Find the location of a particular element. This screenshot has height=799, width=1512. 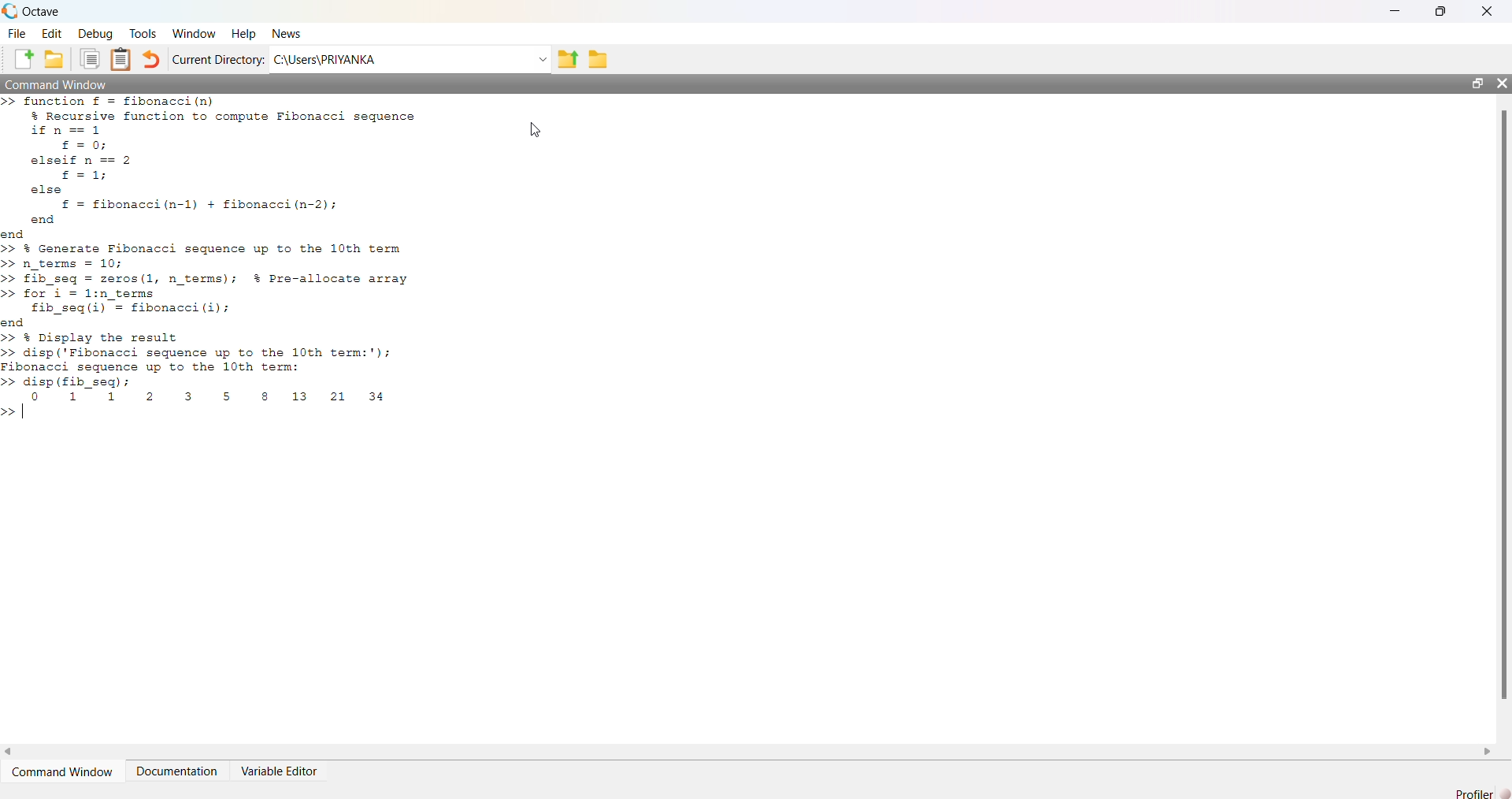

File is located at coordinates (18, 34).